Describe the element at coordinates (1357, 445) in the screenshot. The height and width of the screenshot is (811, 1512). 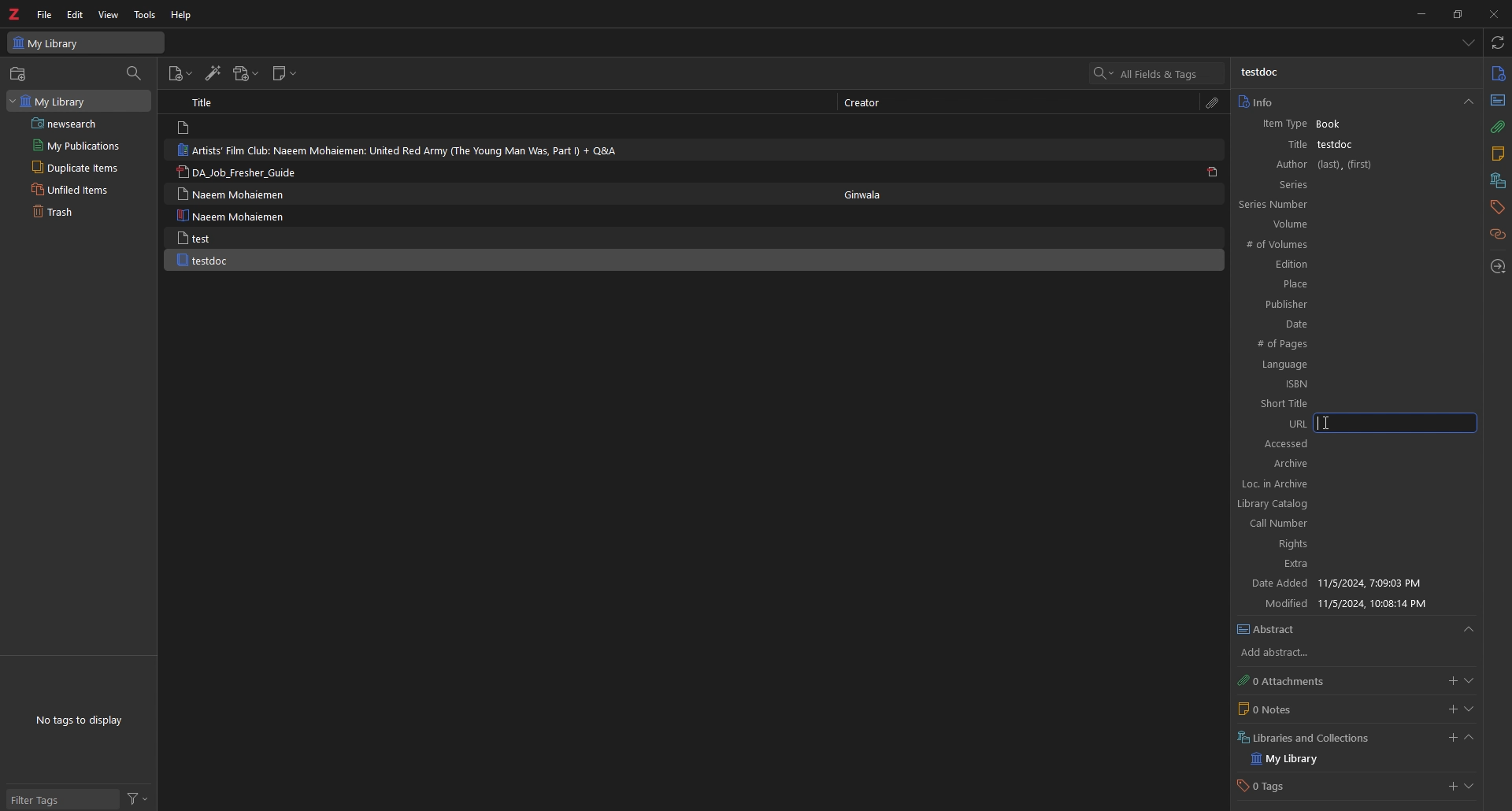
I see `Accessed` at that location.